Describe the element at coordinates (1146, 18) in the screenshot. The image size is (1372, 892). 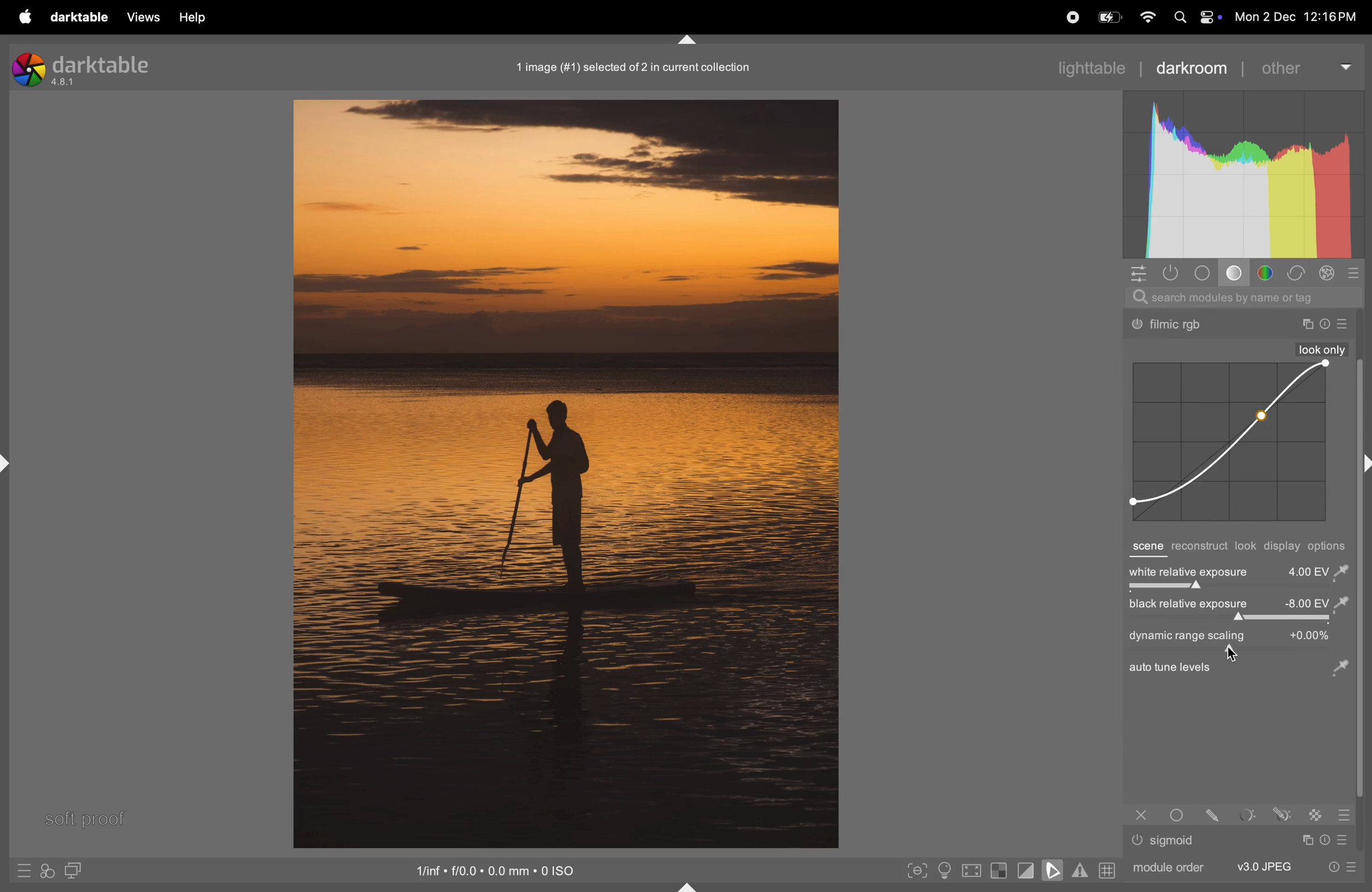
I see `wifi` at that location.